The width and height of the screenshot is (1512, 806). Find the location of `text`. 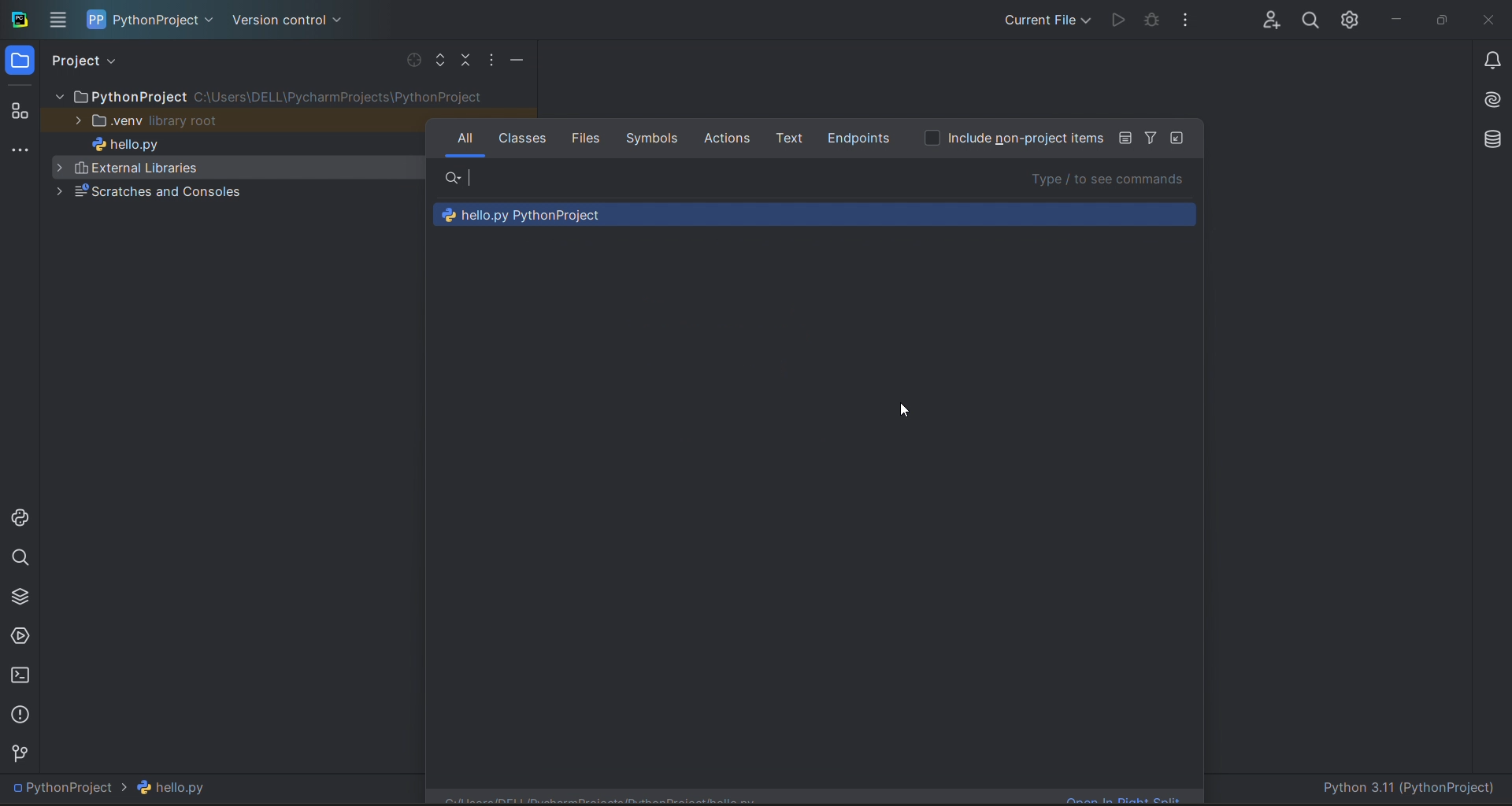

text is located at coordinates (790, 137).